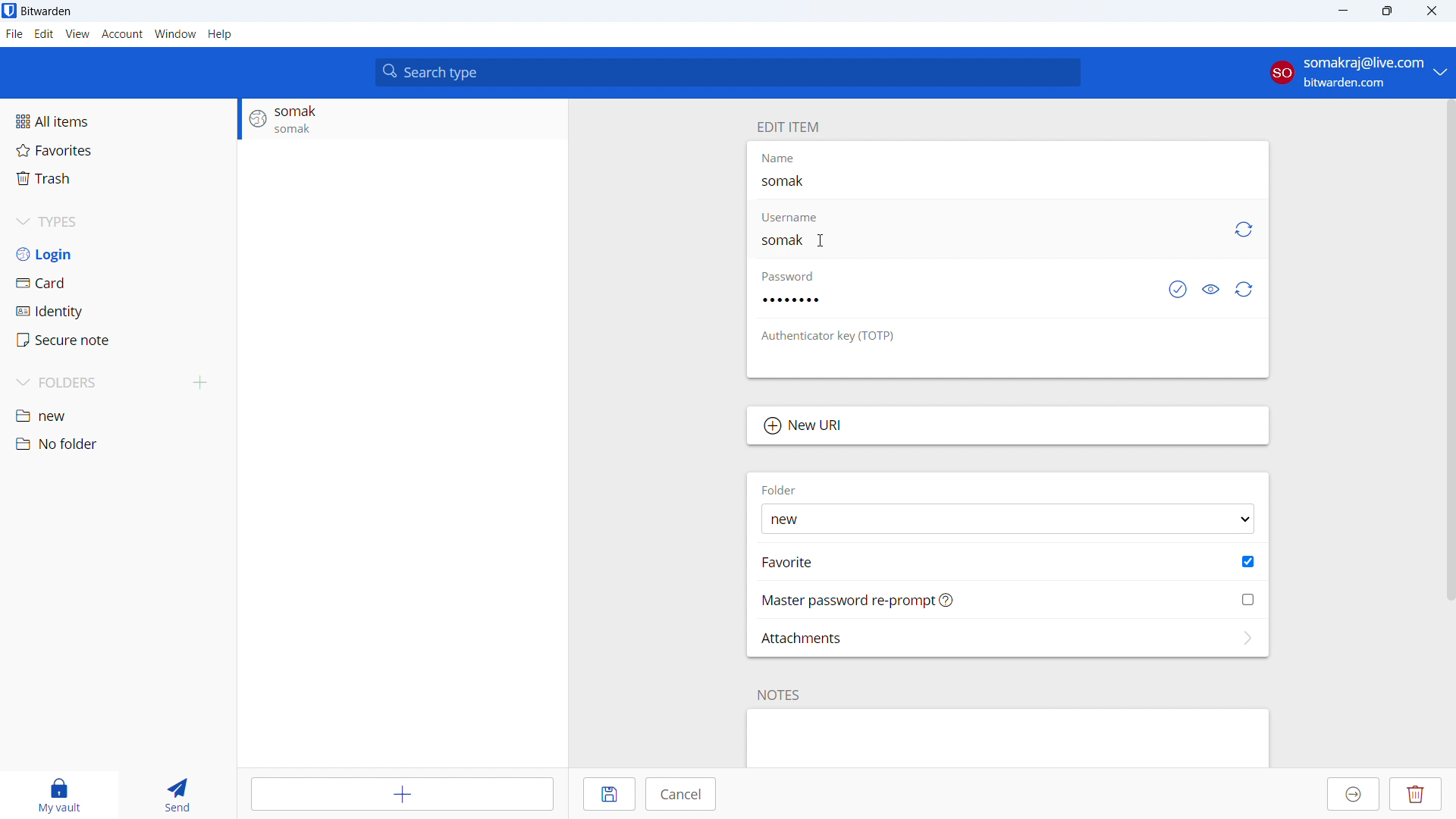 This screenshot has height=819, width=1456. Describe the element at coordinates (402, 120) in the screenshot. I see `login entry` at that location.